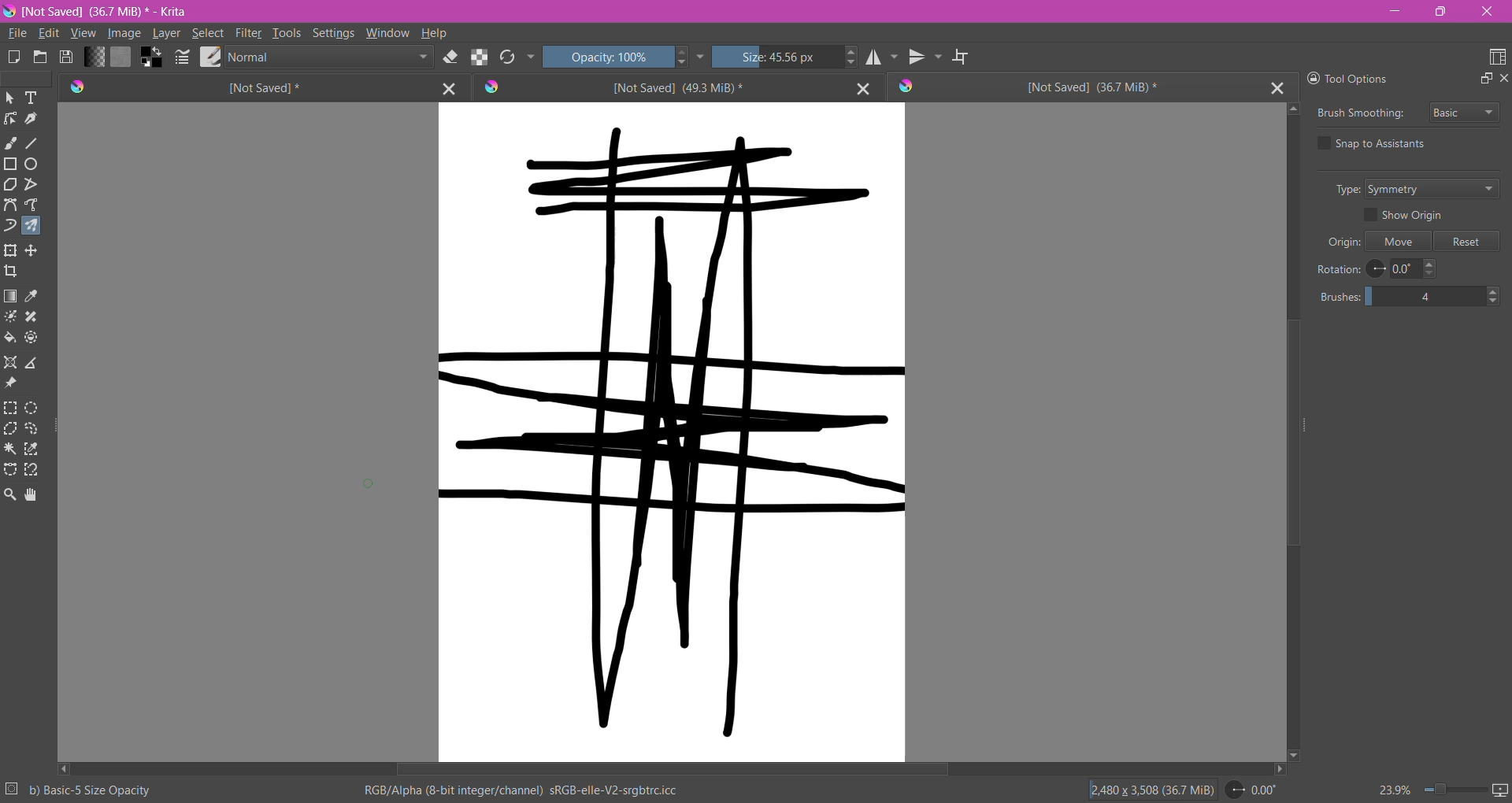  I want to click on Assistant Tool , so click(11, 362).